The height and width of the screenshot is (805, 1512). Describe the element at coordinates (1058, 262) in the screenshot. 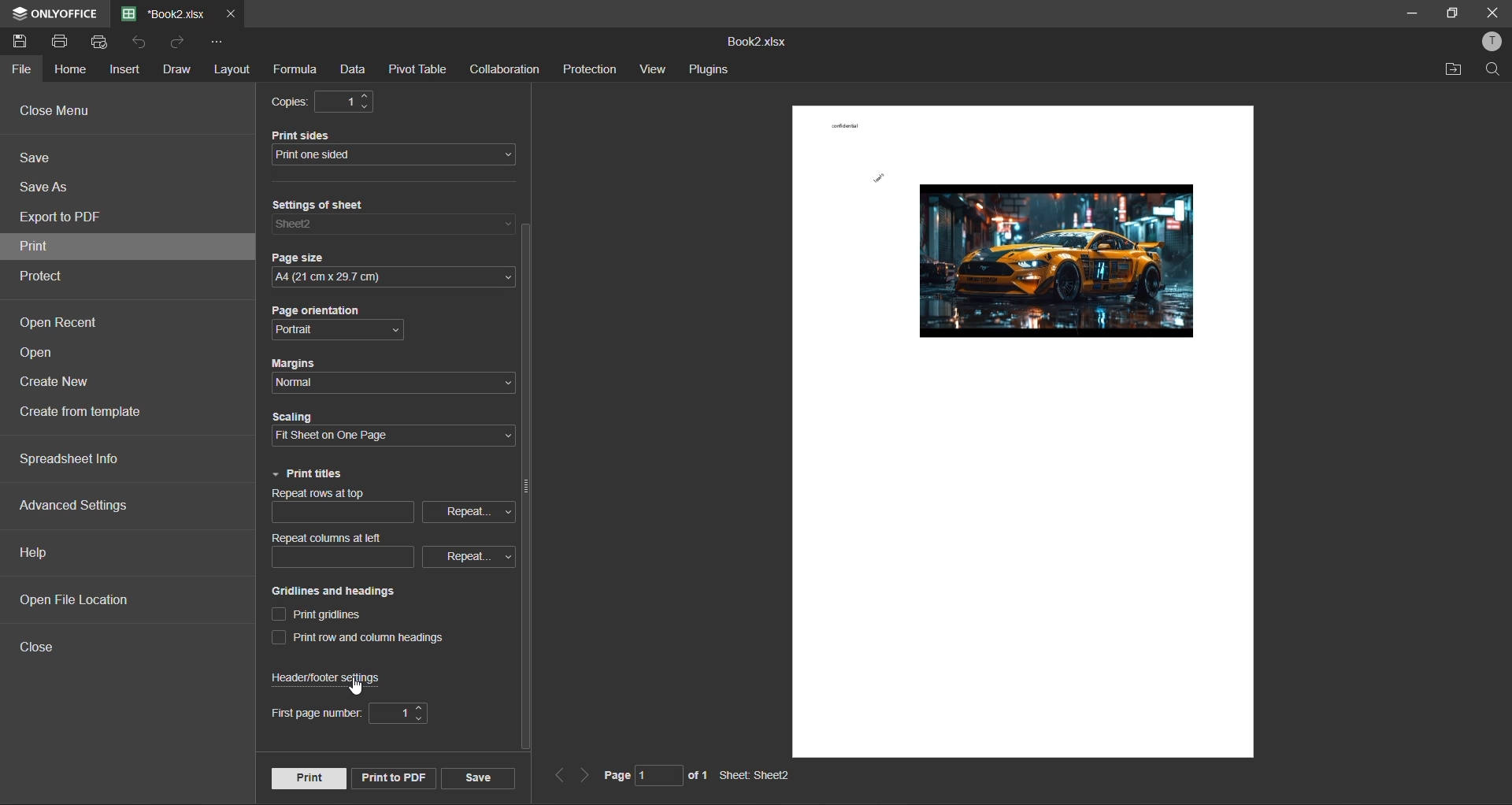

I see `picture` at that location.